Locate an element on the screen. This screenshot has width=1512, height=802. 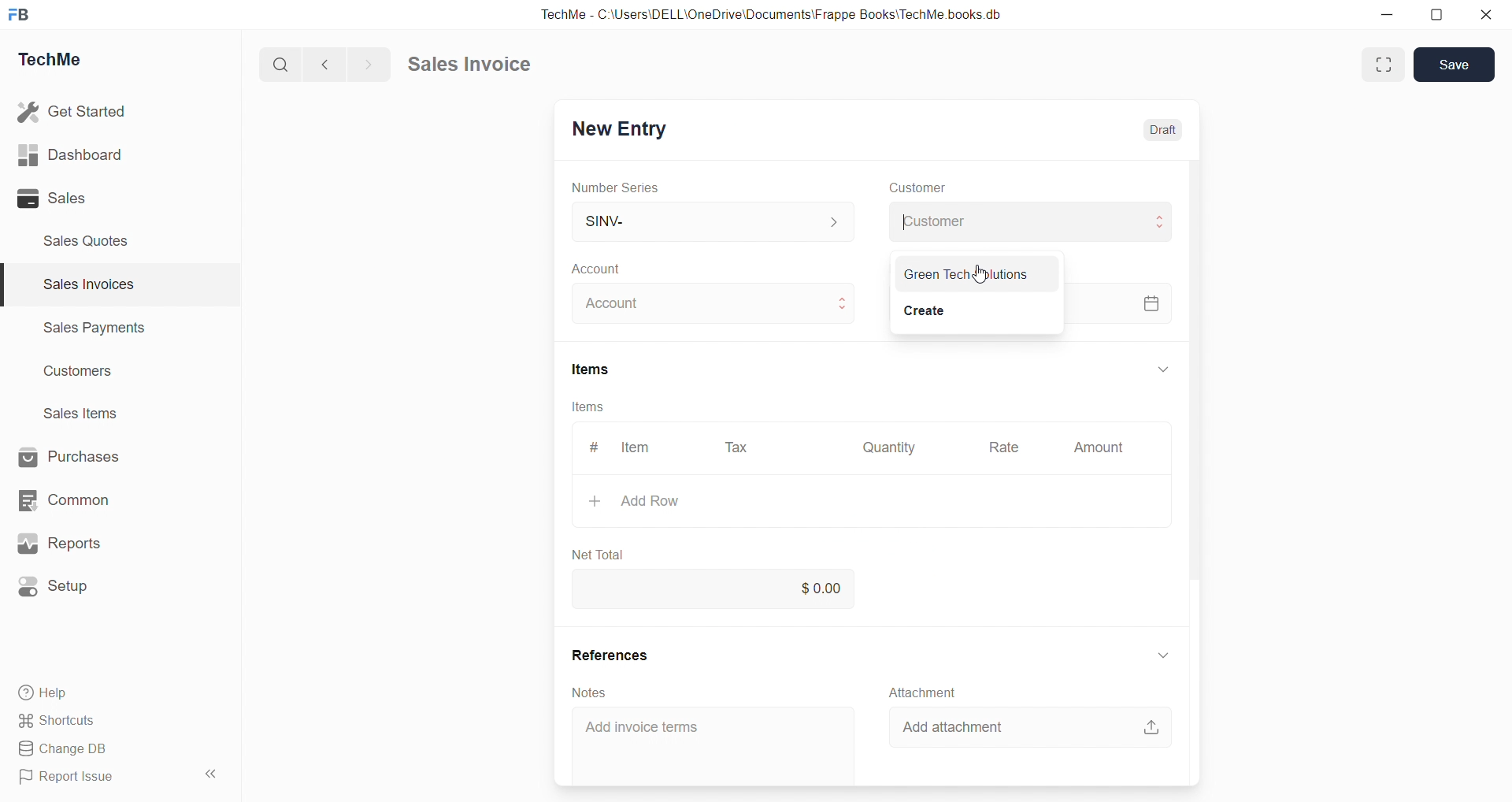
Sales is located at coordinates (52, 198).